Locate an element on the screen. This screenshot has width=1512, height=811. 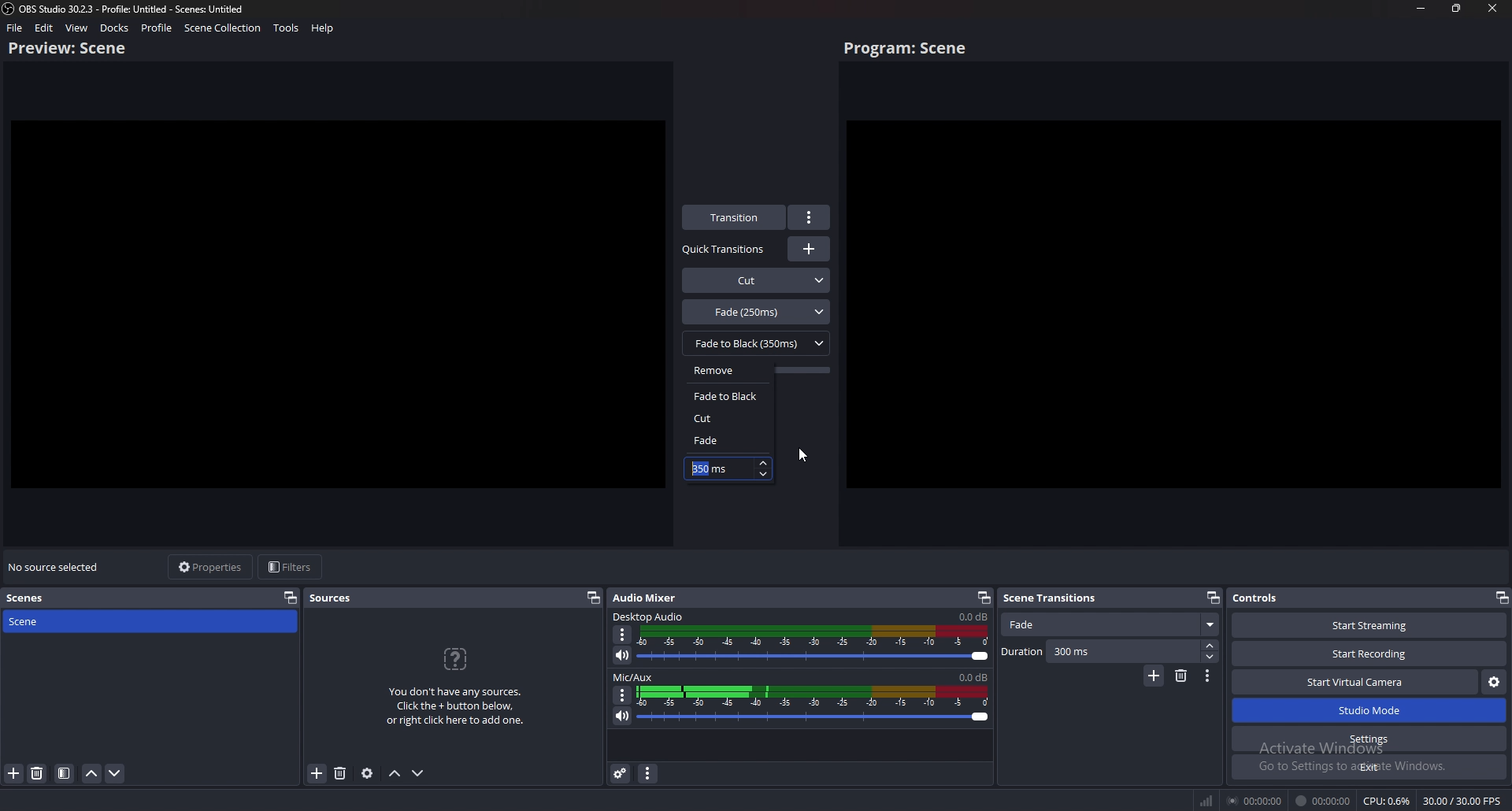
pop out is located at coordinates (1500, 597).